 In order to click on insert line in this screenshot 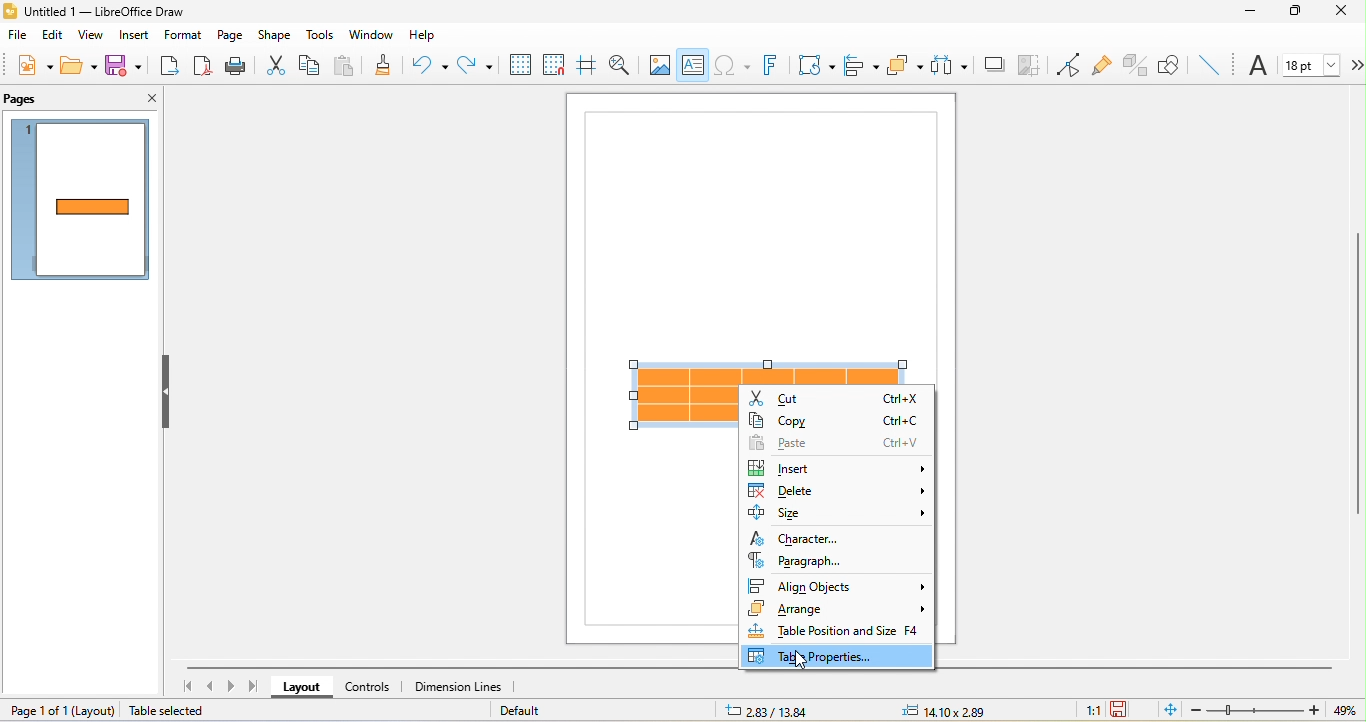, I will do `click(1209, 64)`.